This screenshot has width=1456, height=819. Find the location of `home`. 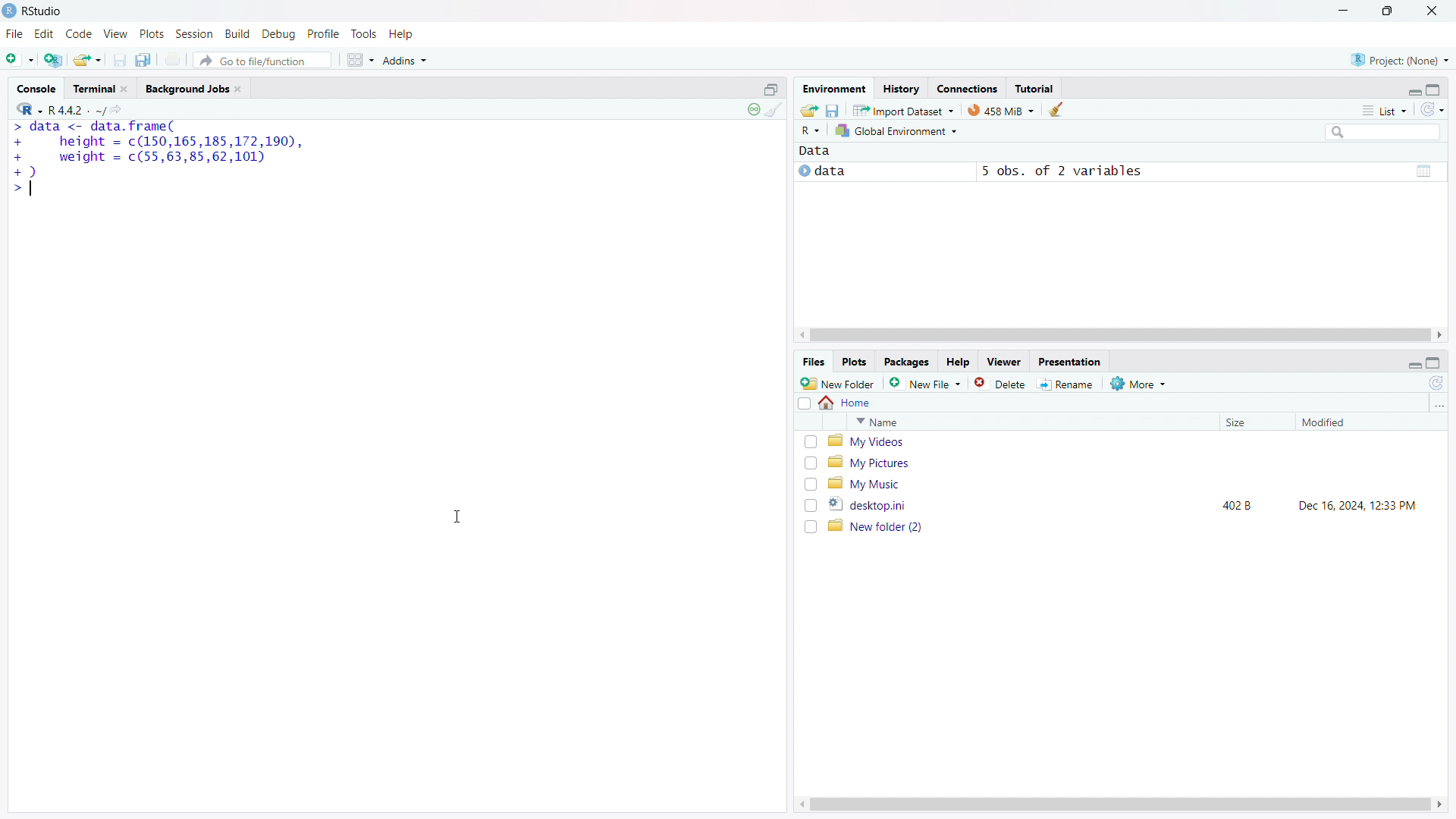

home is located at coordinates (846, 403).